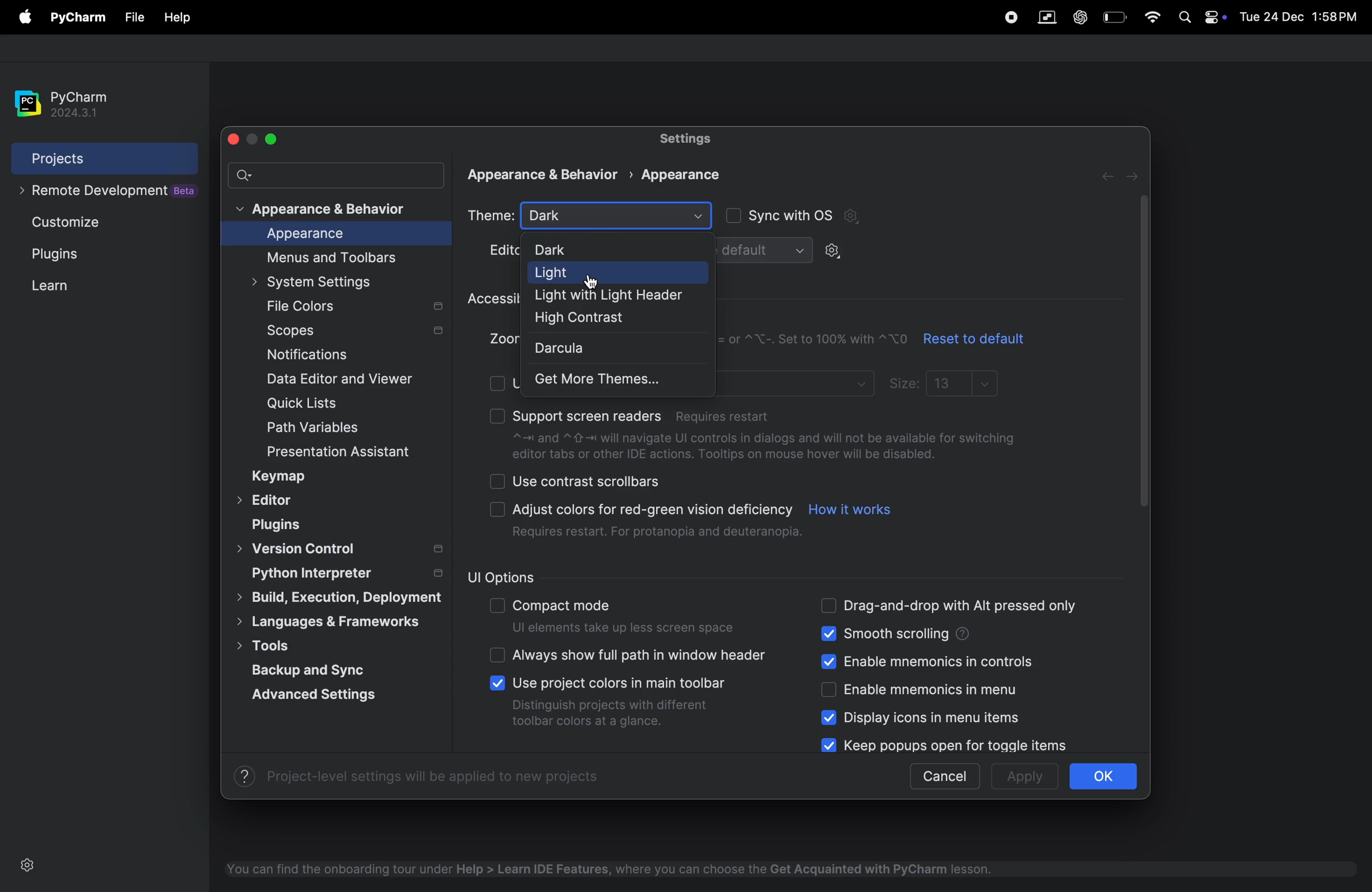 The image size is (1372, 892). Describe the element at coordinates (1105, 176) in the screenshot. I see `forward` at that location.